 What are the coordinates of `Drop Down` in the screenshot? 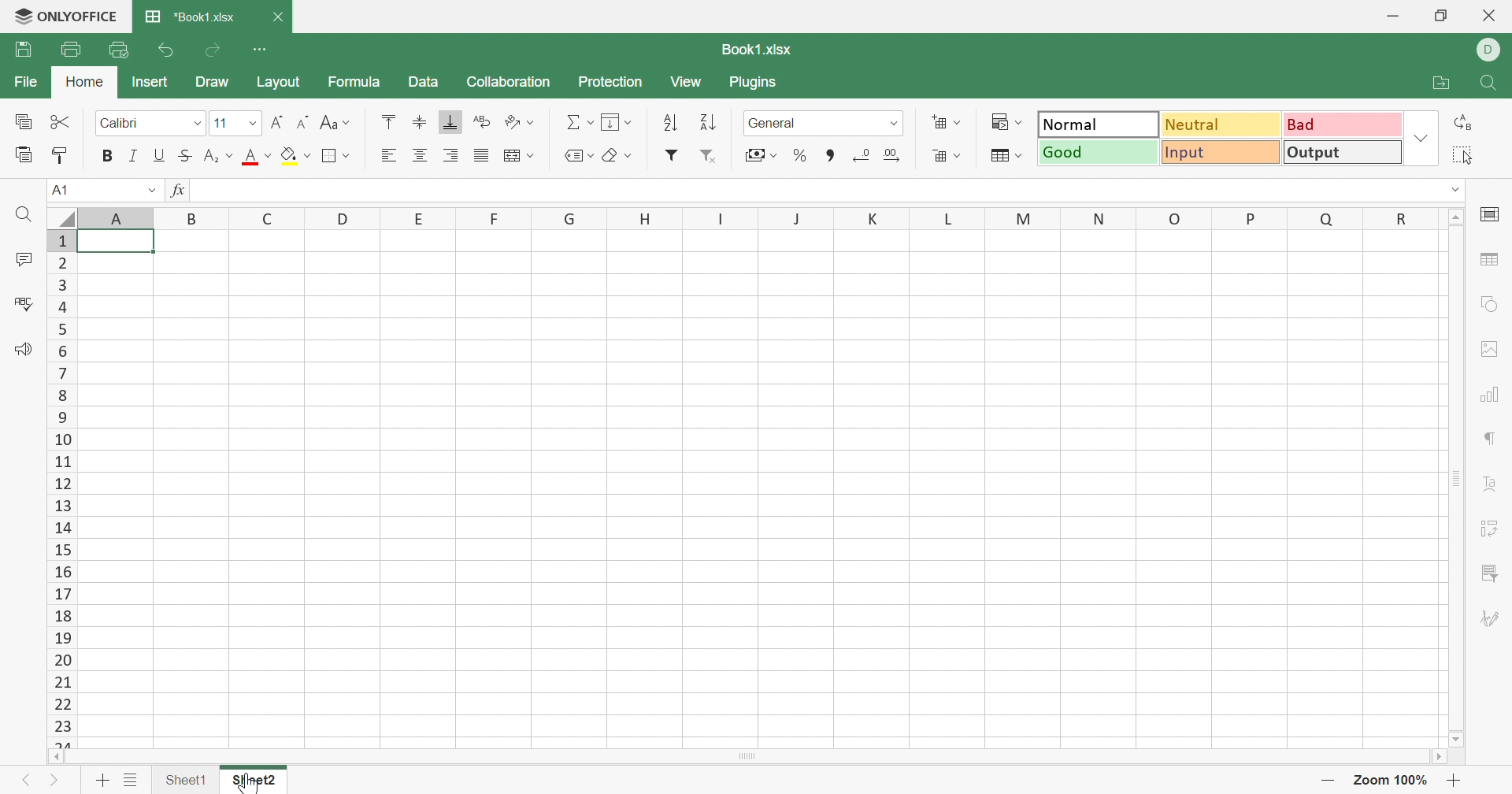 It's located at (150, 189).